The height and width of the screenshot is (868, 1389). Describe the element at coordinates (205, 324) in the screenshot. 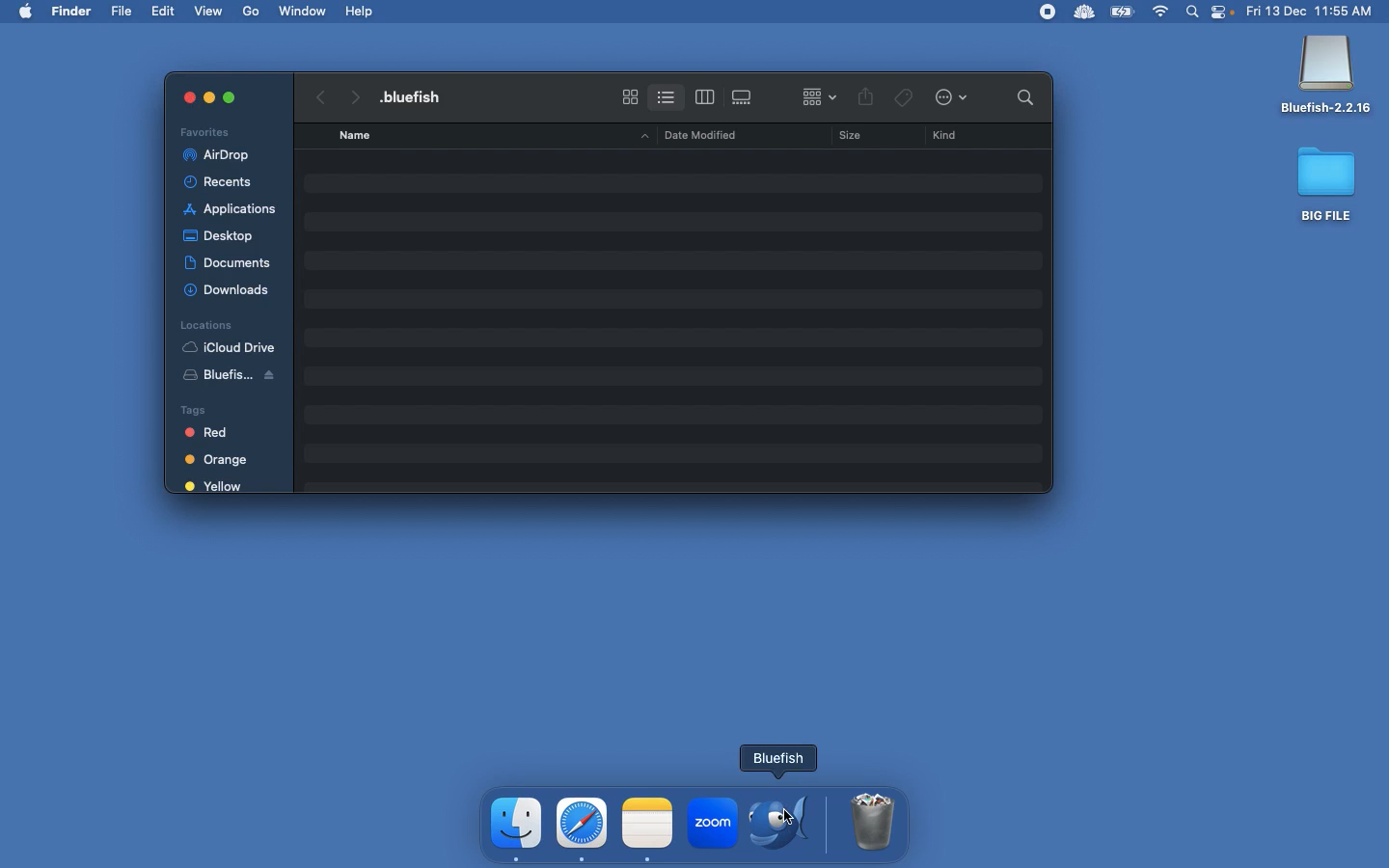

I see `Locations` at that location.